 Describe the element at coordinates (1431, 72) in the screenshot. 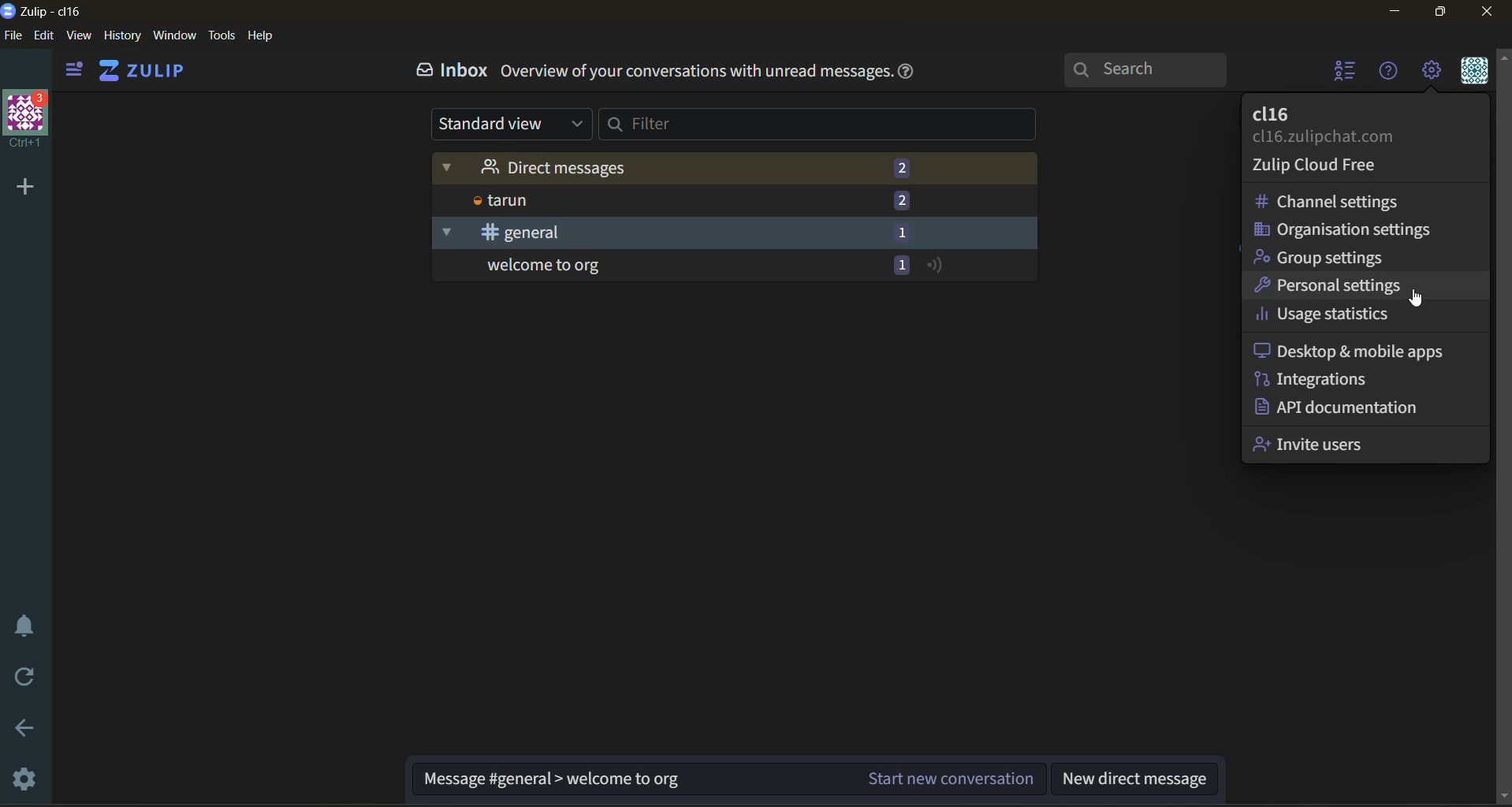

I see `settings menu` at that location.